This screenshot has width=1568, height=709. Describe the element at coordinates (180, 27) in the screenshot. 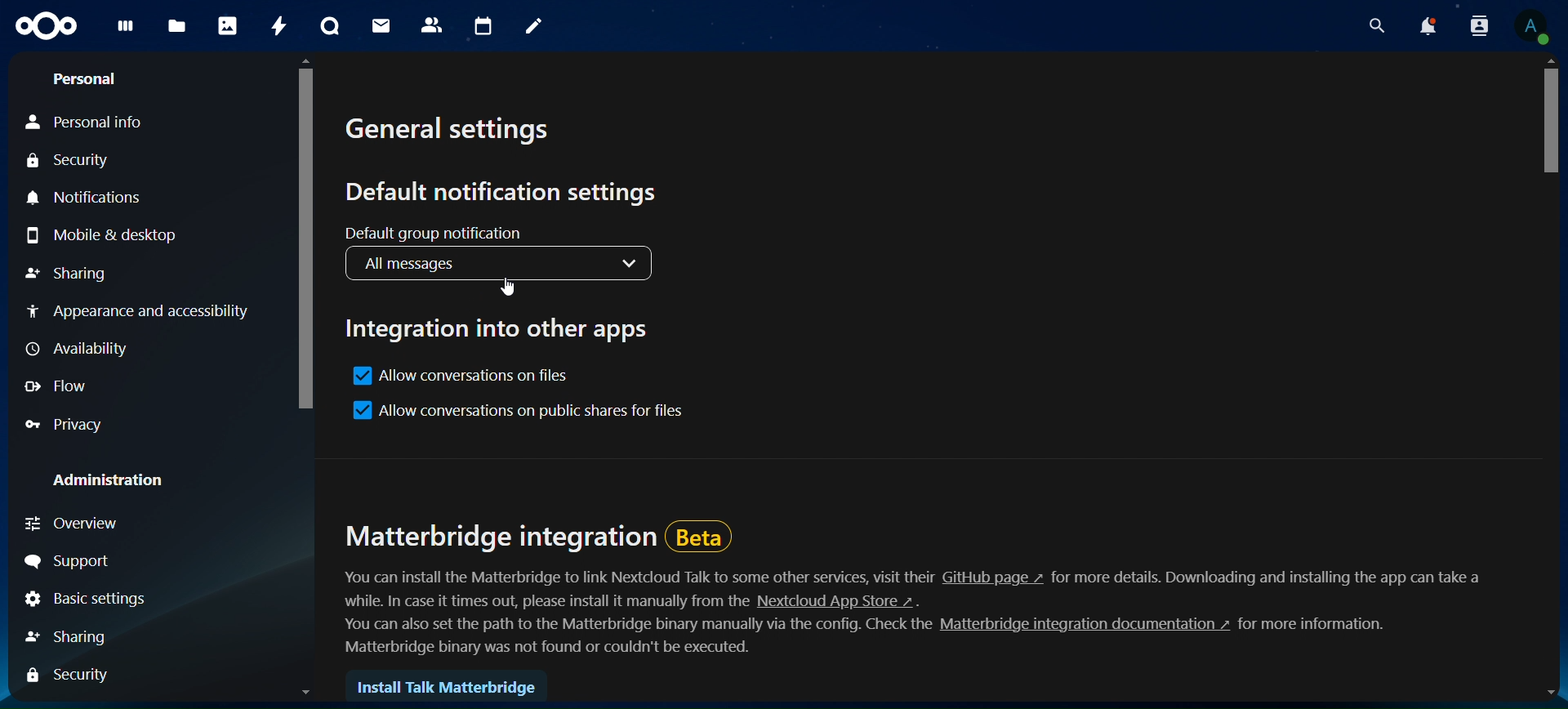

I see `files` at that location.